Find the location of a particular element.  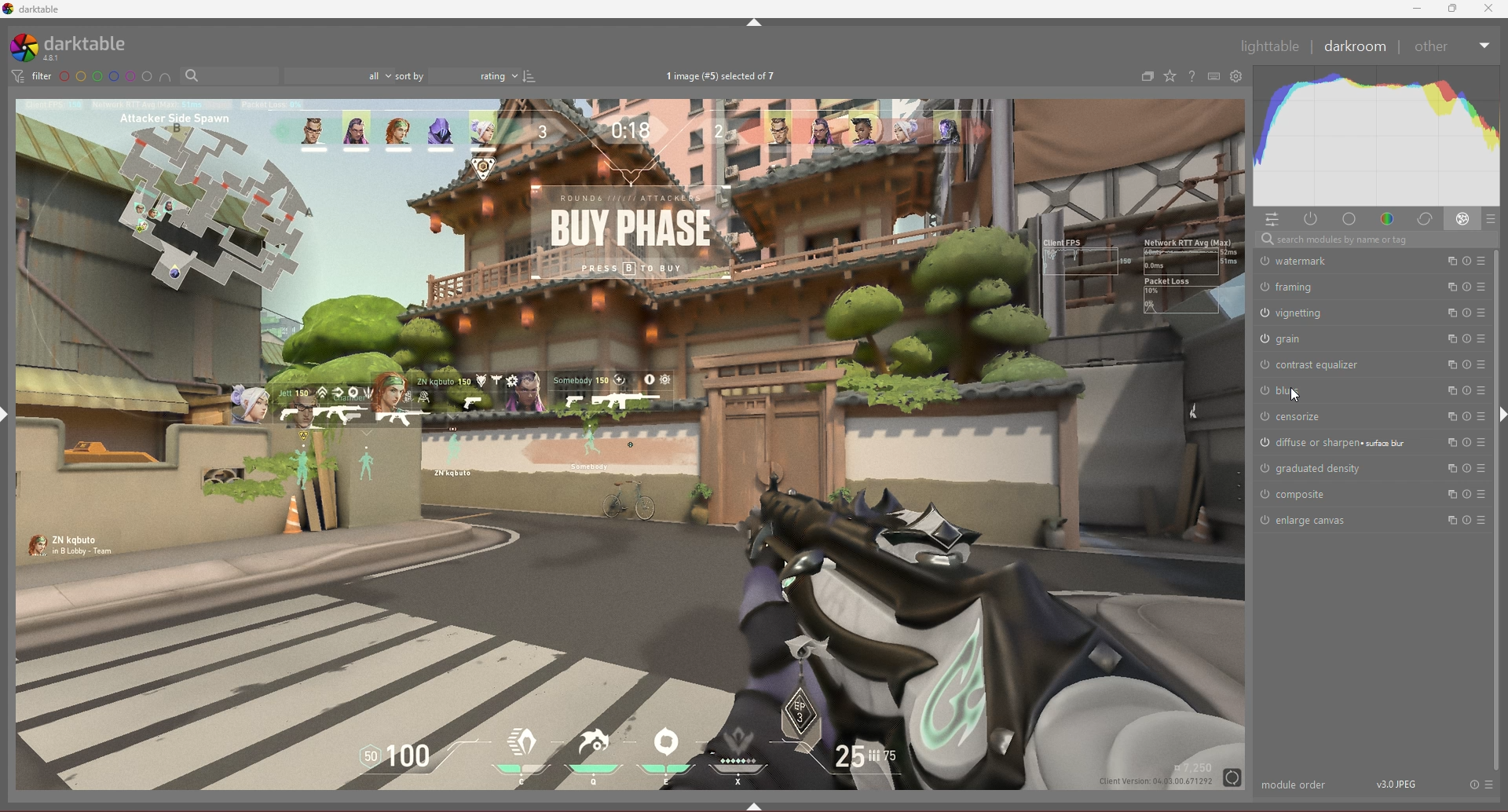

multiple instances action is located at coordinates (1446, 468).